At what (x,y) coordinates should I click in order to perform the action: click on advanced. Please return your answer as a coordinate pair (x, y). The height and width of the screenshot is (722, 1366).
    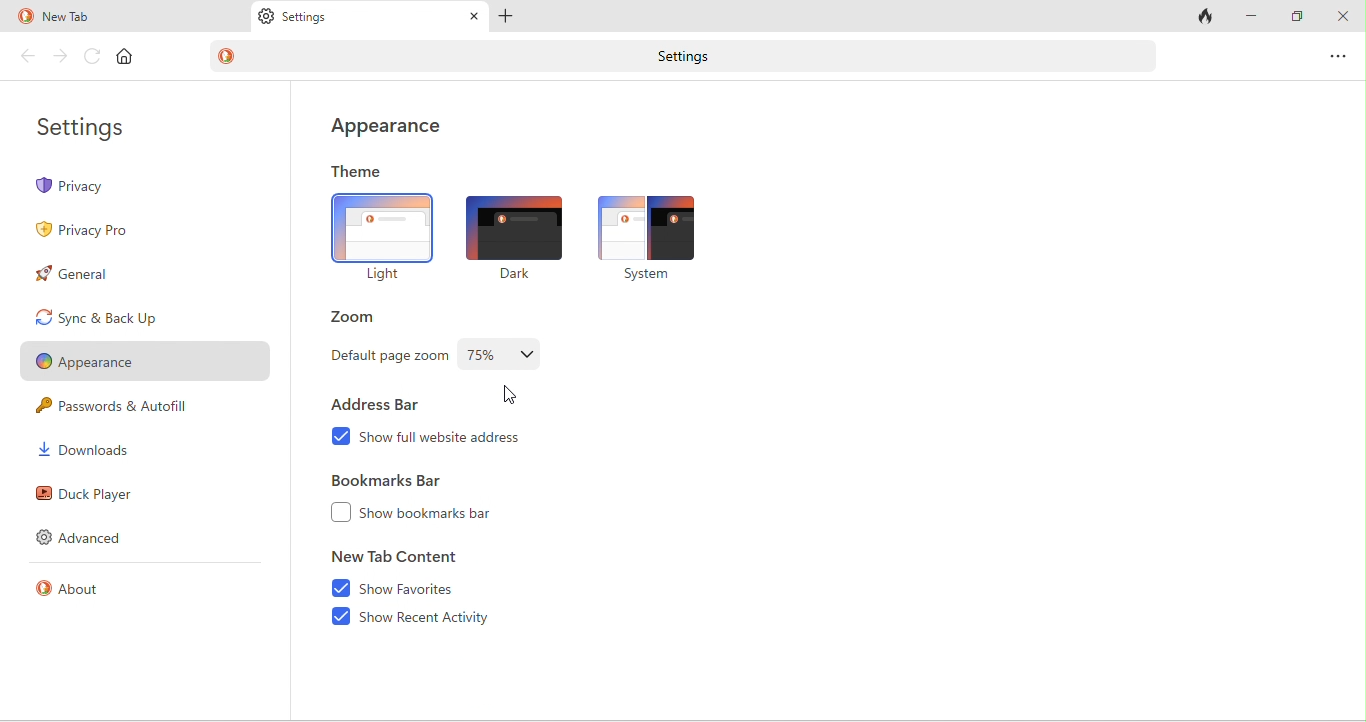
    Looking at the image, I should click on (90, 539).